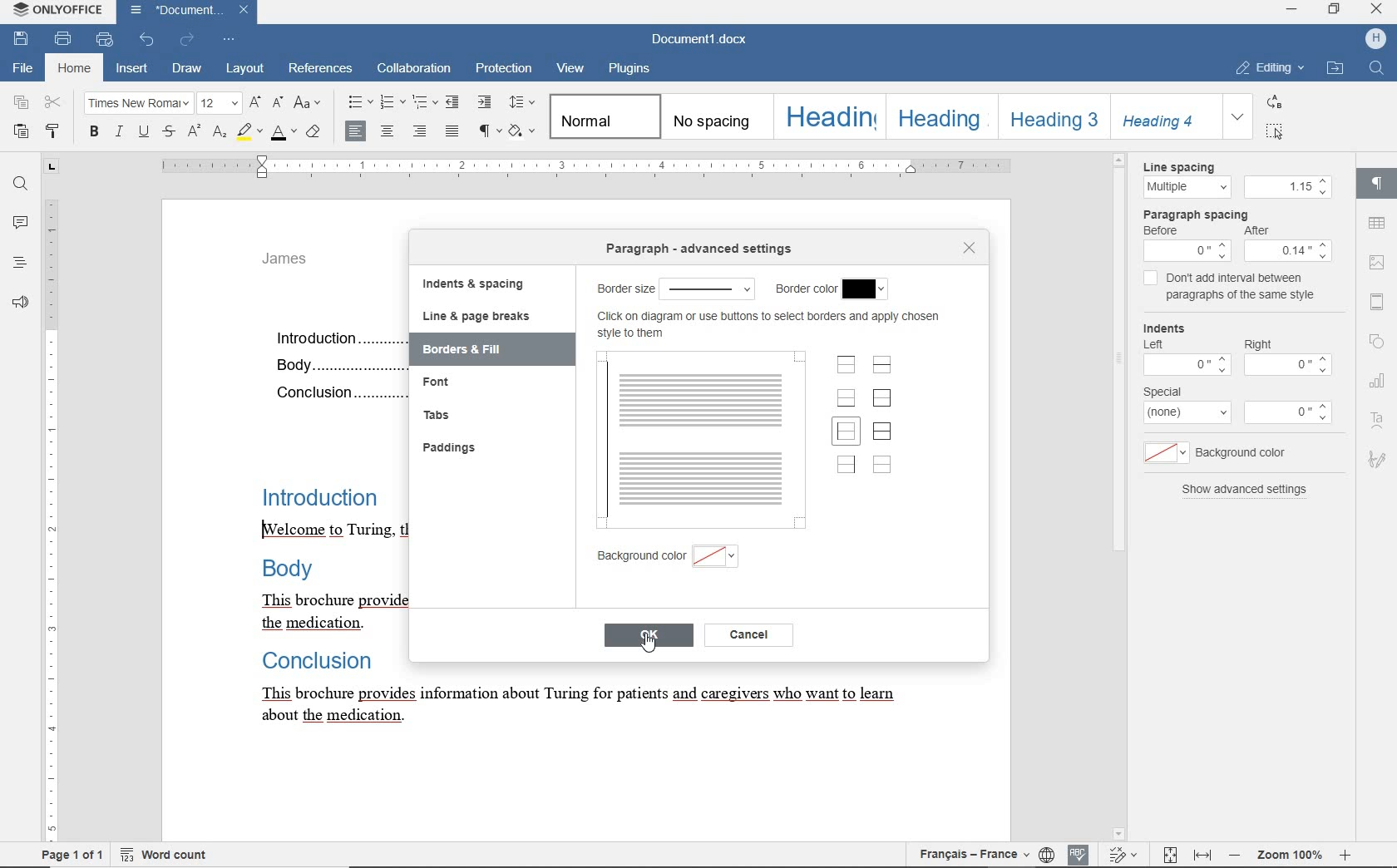 The image size is (1397, 868). Describe the element at coordinates (1379, 184) in the screenshot. I see `paragraph settings` at that location.